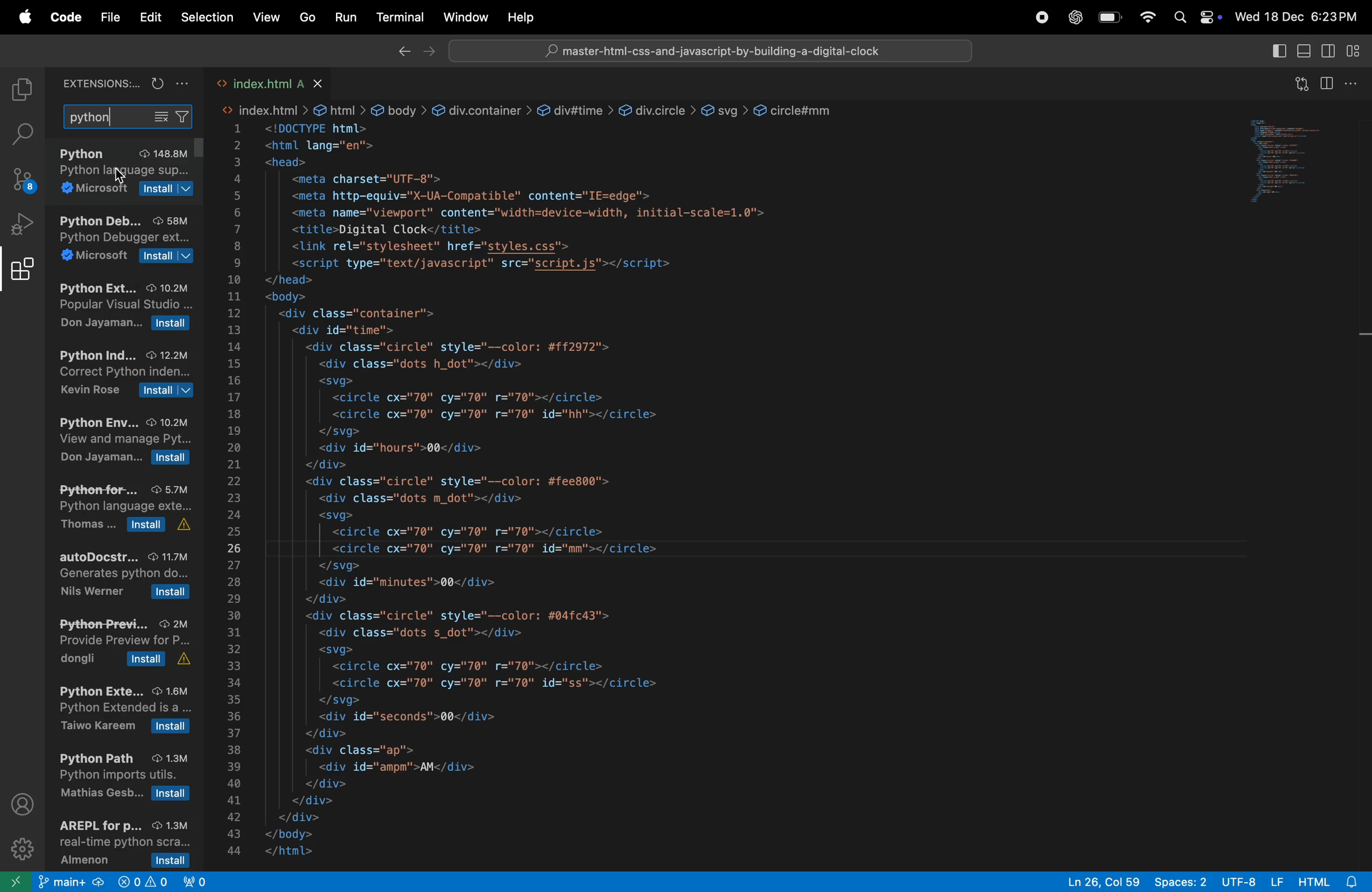 The image size is (1372, 892). What do you see at coordinates (1197, 17) in the screenshot?
I see `apple widgets` at bounding box center [1197, 17].